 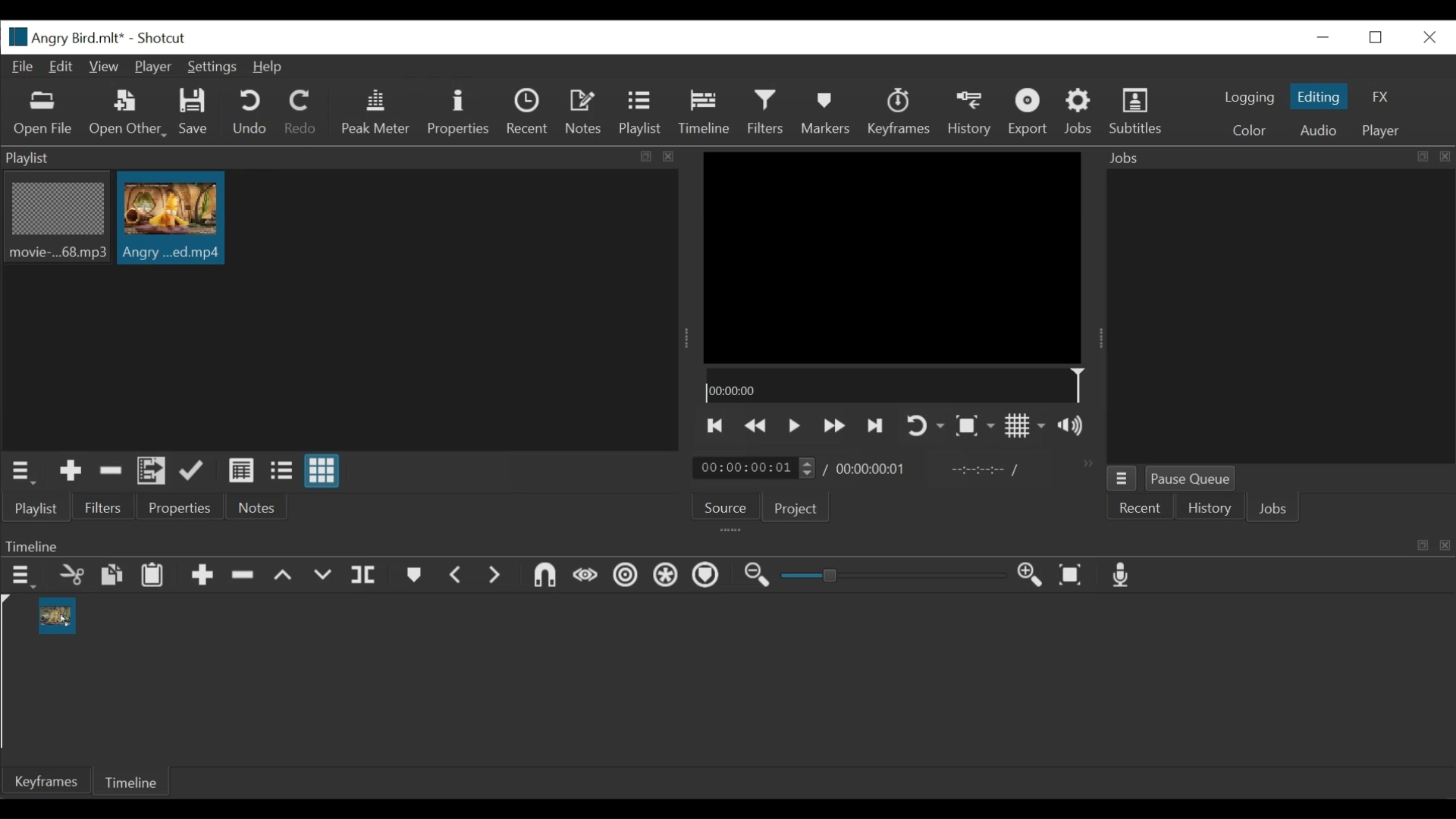 I want to click on Player, so click(x=152, y=67).